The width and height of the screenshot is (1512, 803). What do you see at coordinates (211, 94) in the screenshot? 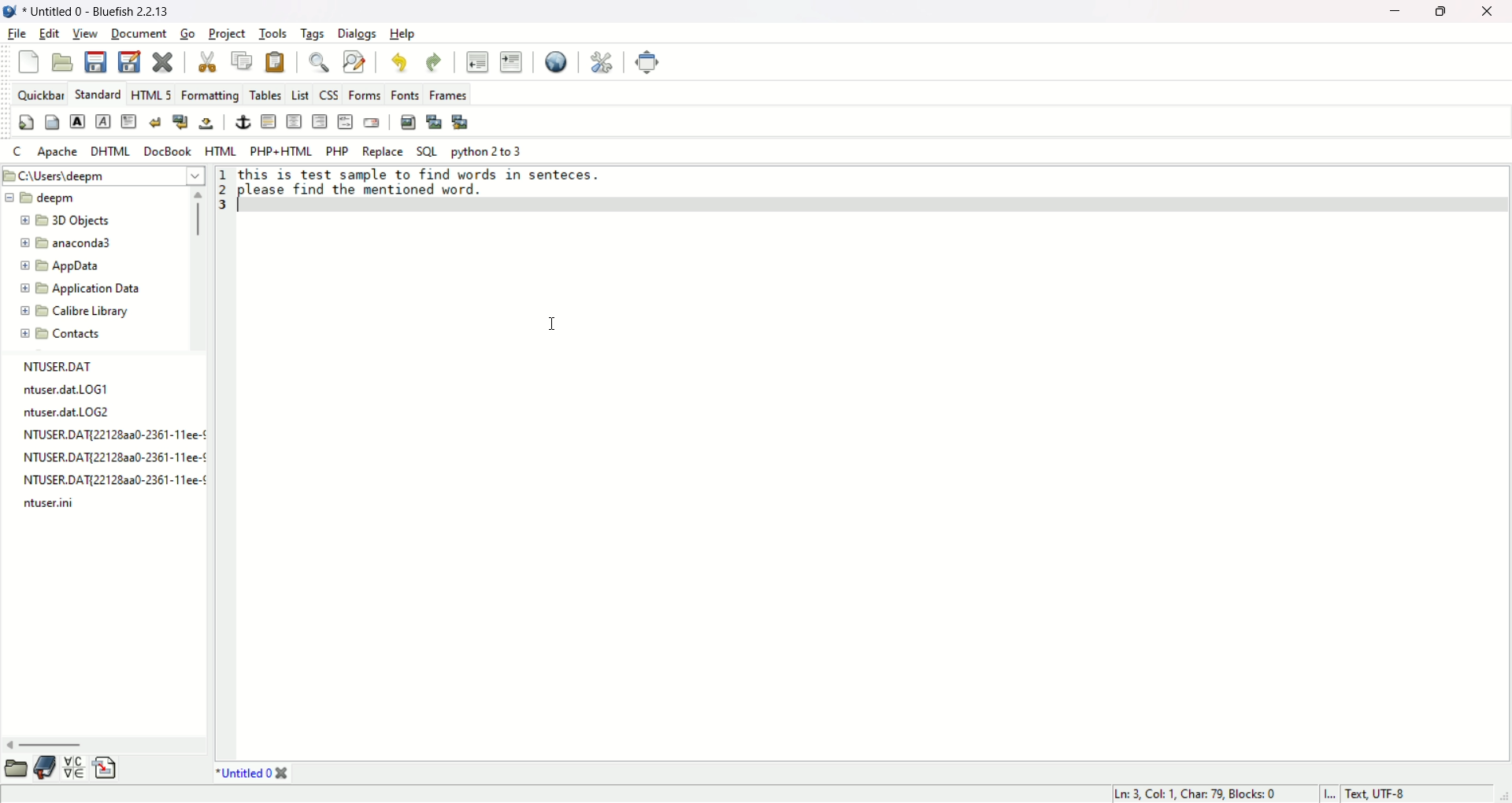
I see `formatting` at bounding box center [211, 94].